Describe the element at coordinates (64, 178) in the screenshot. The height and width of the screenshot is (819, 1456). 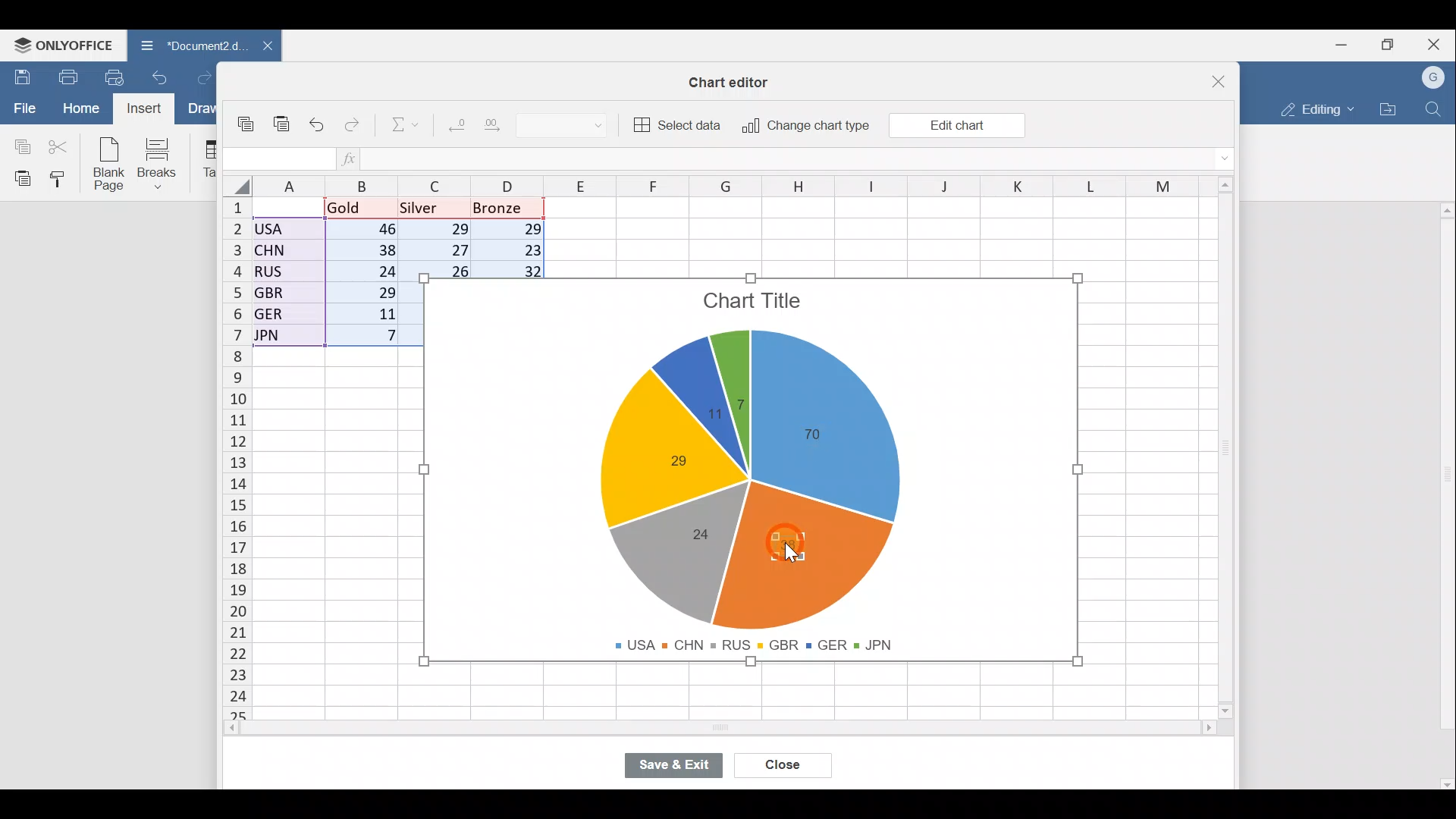
I see `Copy style` at that location.